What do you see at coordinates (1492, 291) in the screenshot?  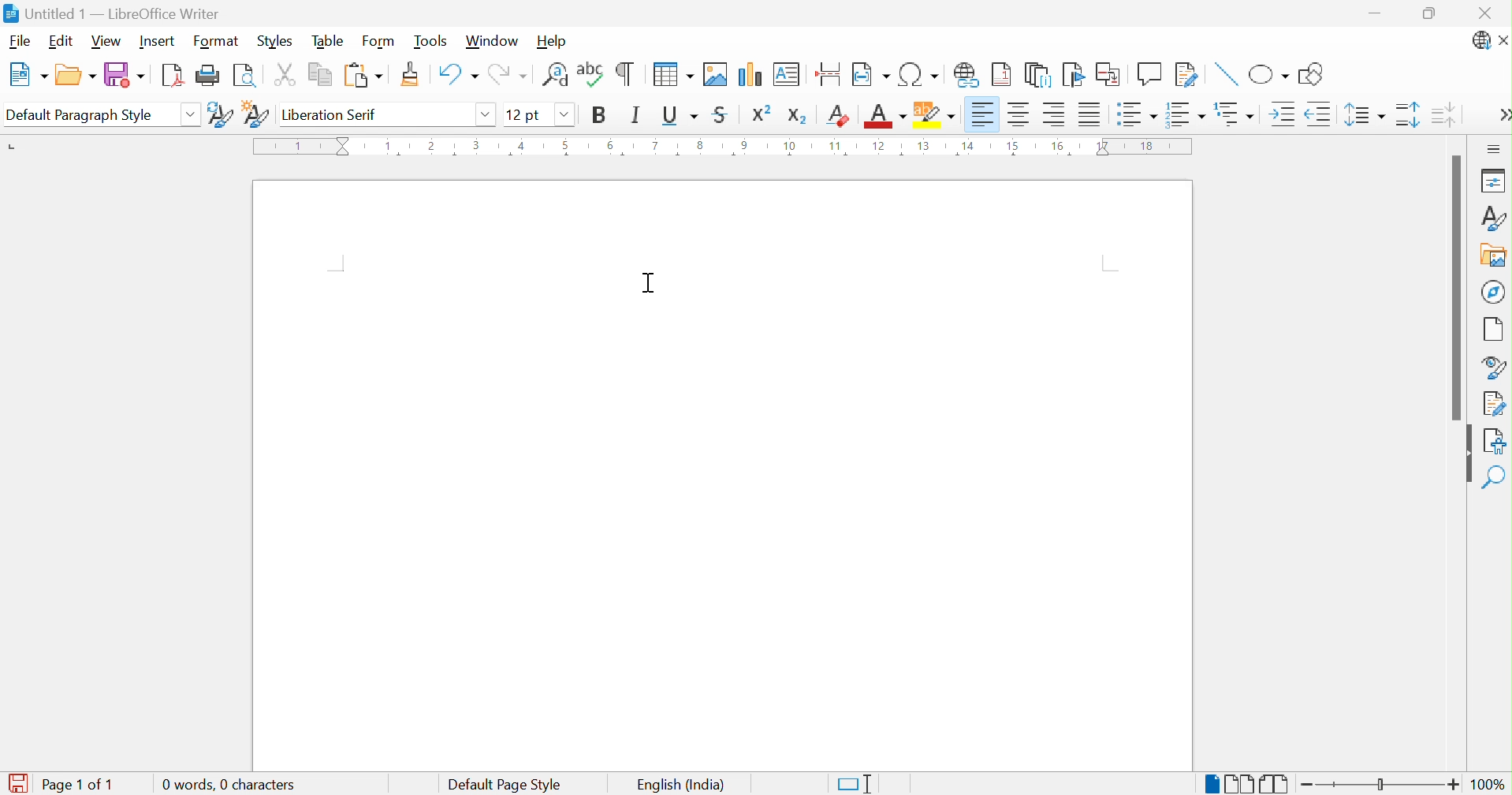 I see `Navigator` at bounding box center [1492, 291].